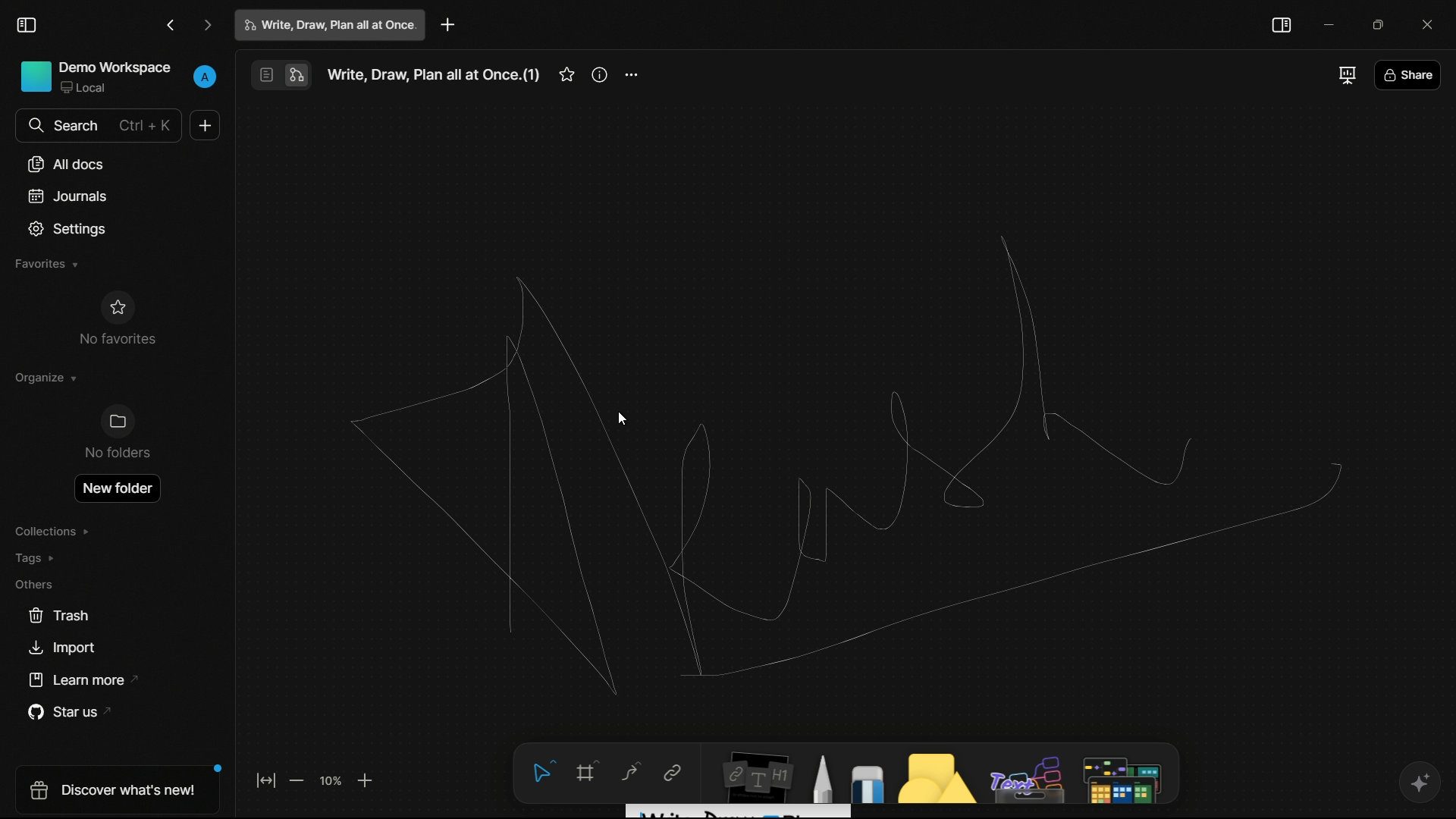  What do you see at coordinates (629, 774) in the screenshot?
I see `curve` at bounding box center [629, 774].